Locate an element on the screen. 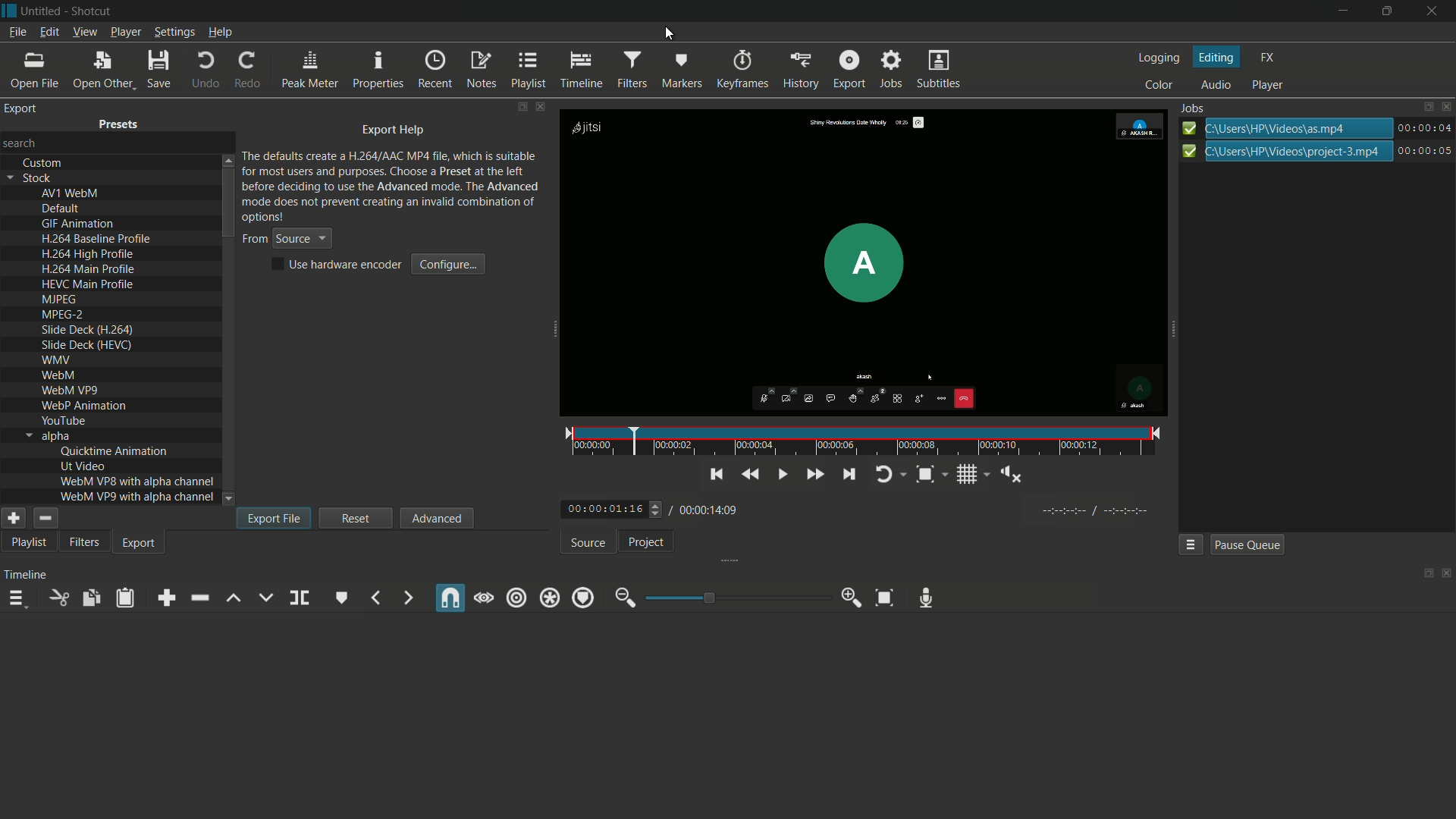 The height and width of the screenshot is (819, 1456). minimize is located at coordinates (1340, 11).